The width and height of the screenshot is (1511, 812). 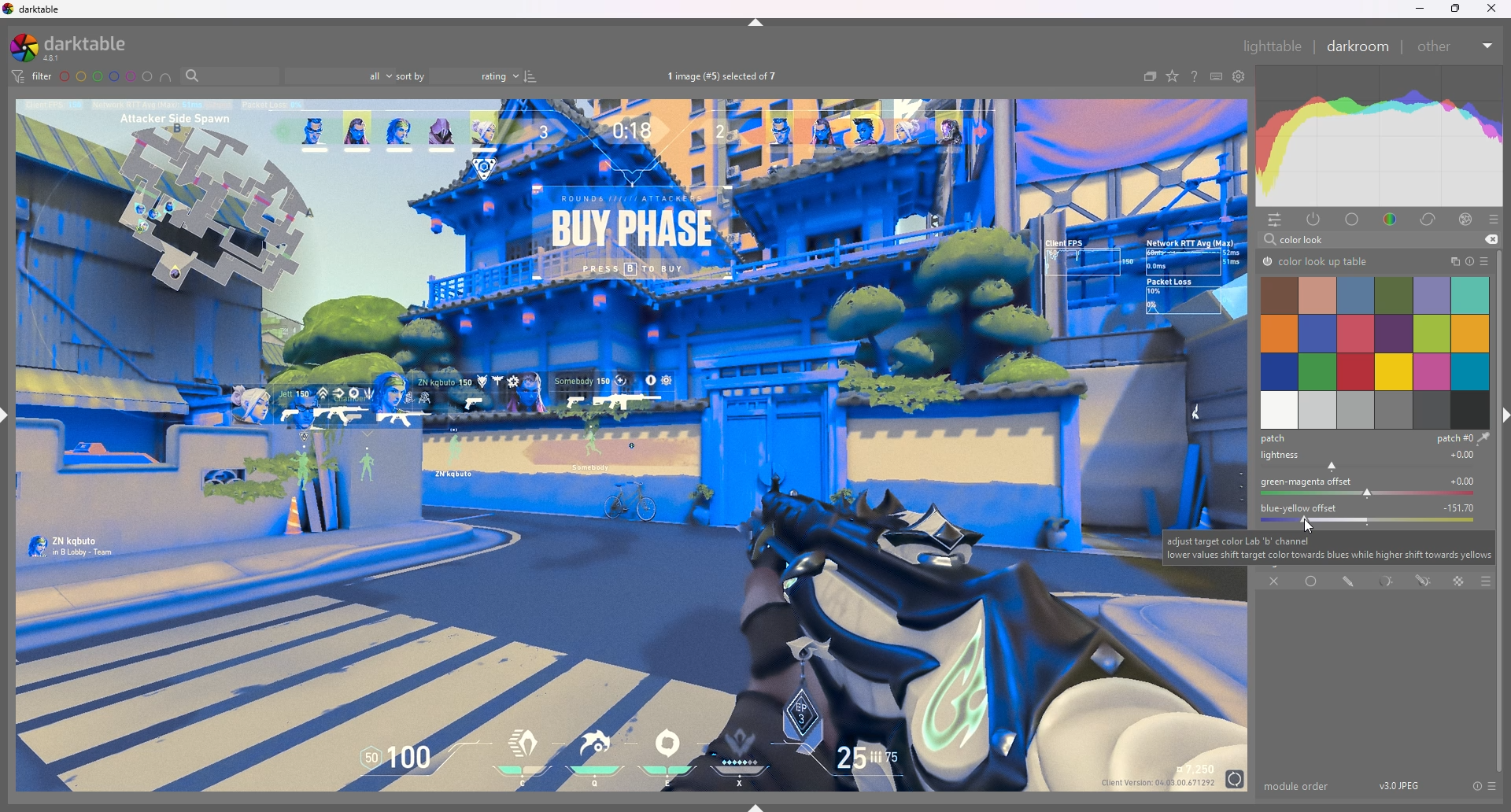 I want to click on help, so click(x=1194, y=76).